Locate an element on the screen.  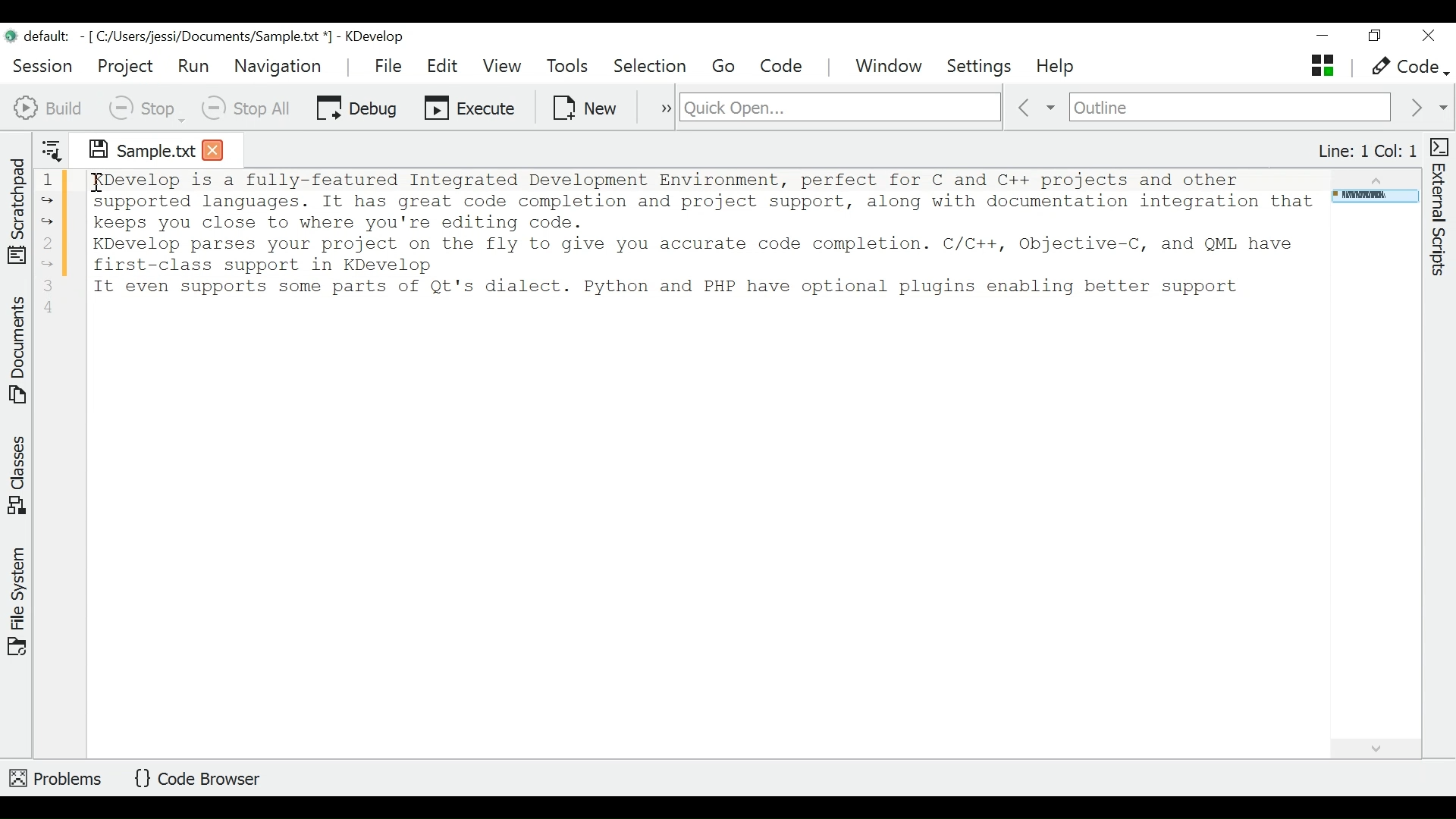
Code is located at coordinates (783, 66).